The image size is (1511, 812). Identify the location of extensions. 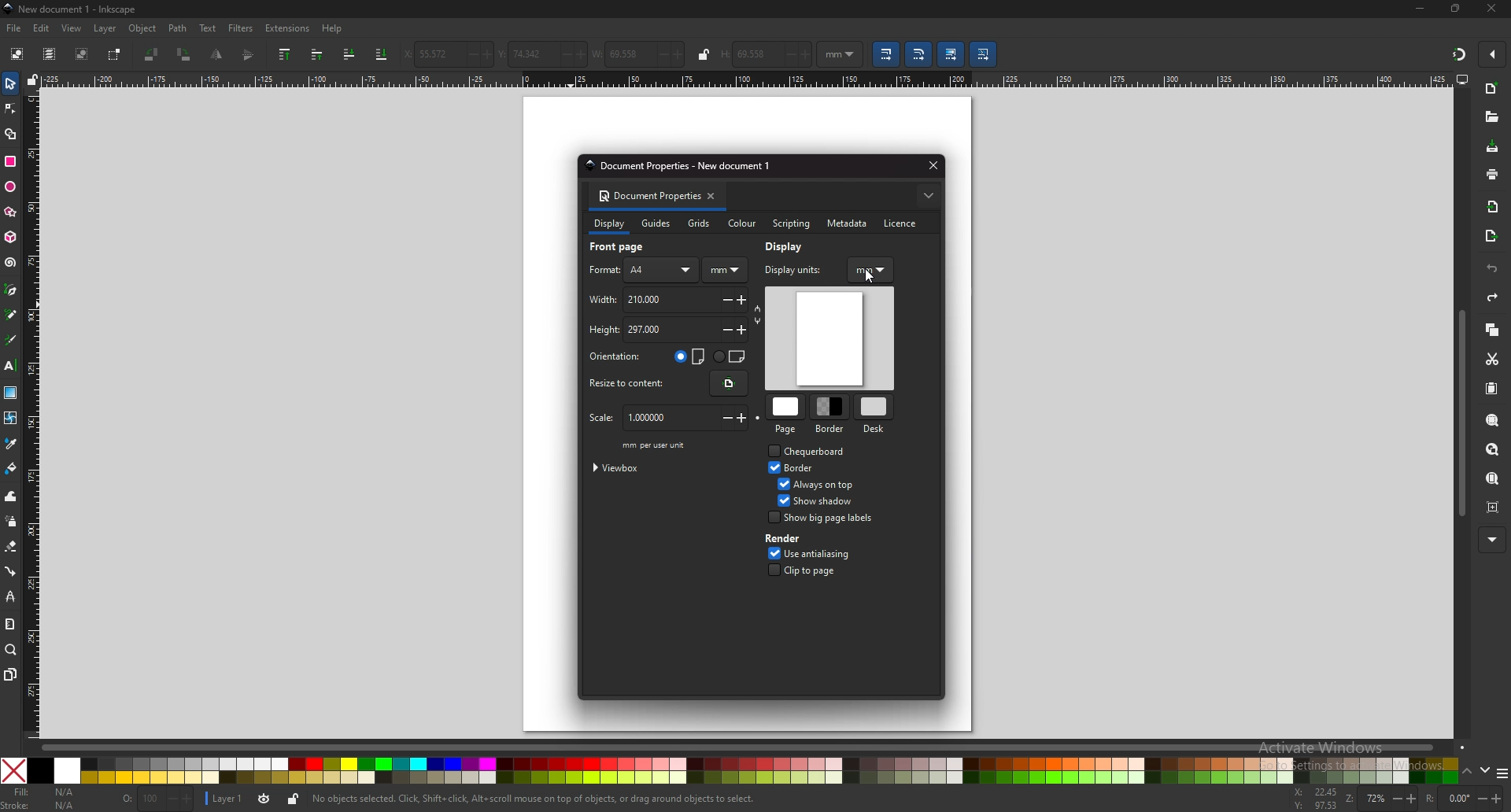
(286, 29).